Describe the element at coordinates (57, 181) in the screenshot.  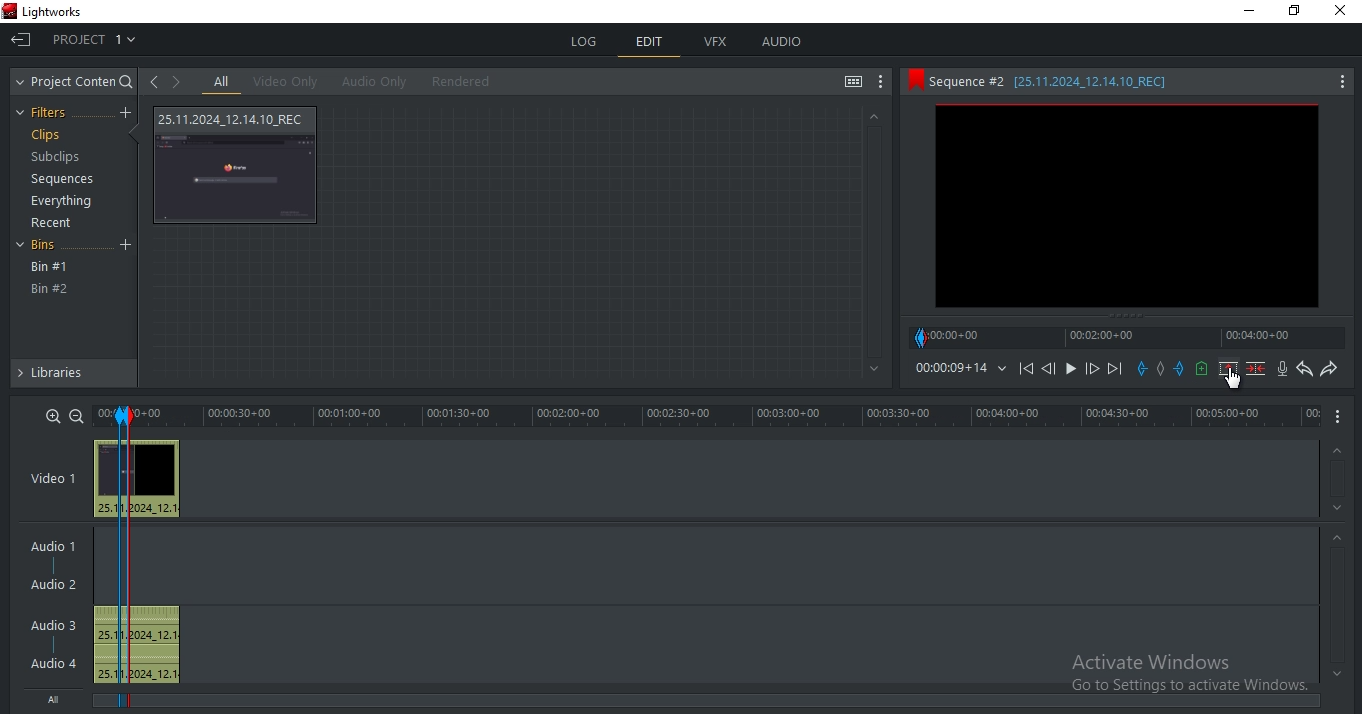
I see `sequences` at that location.